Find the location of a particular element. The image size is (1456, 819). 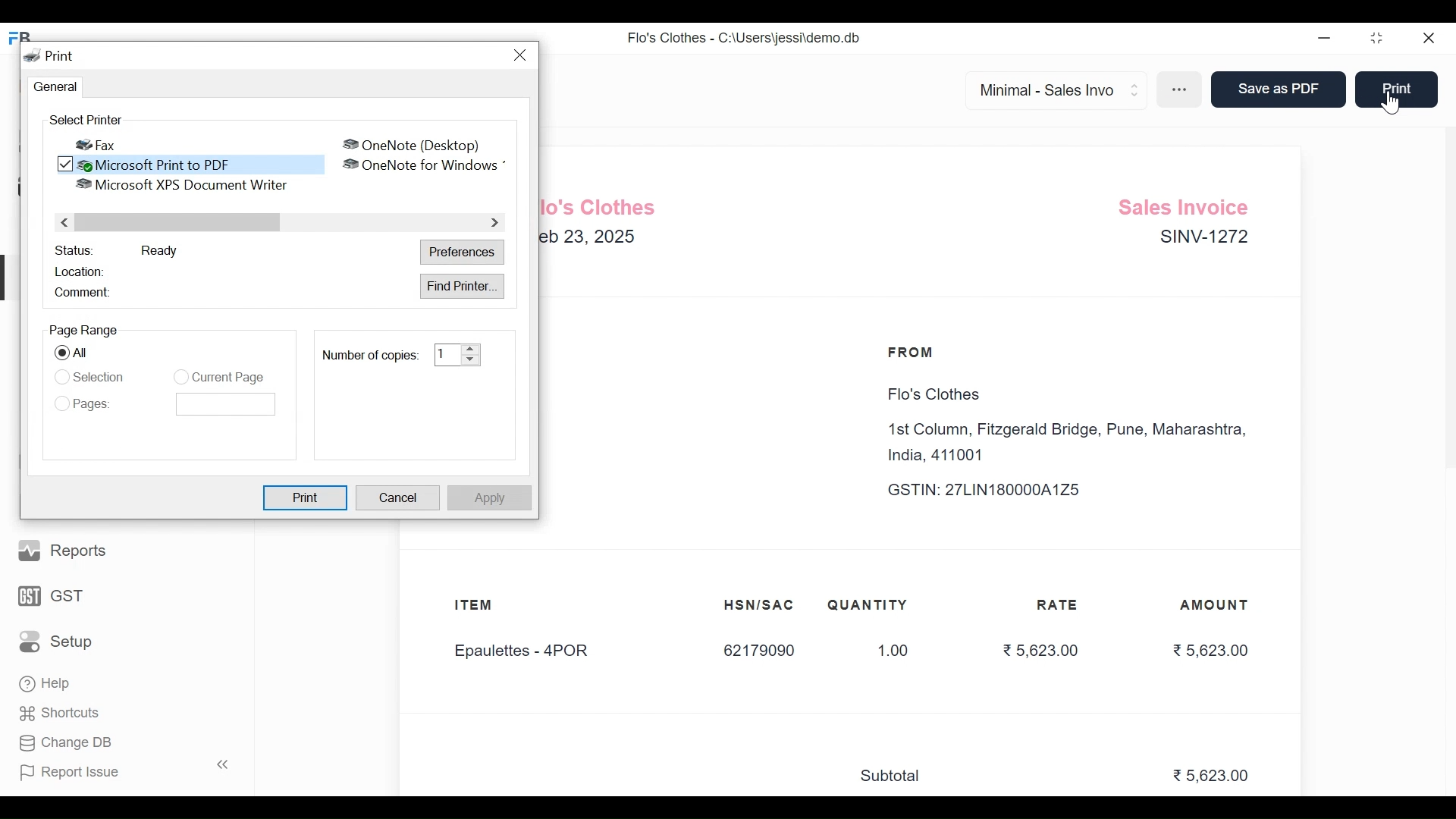

More is located at coordinates (1181, 91).